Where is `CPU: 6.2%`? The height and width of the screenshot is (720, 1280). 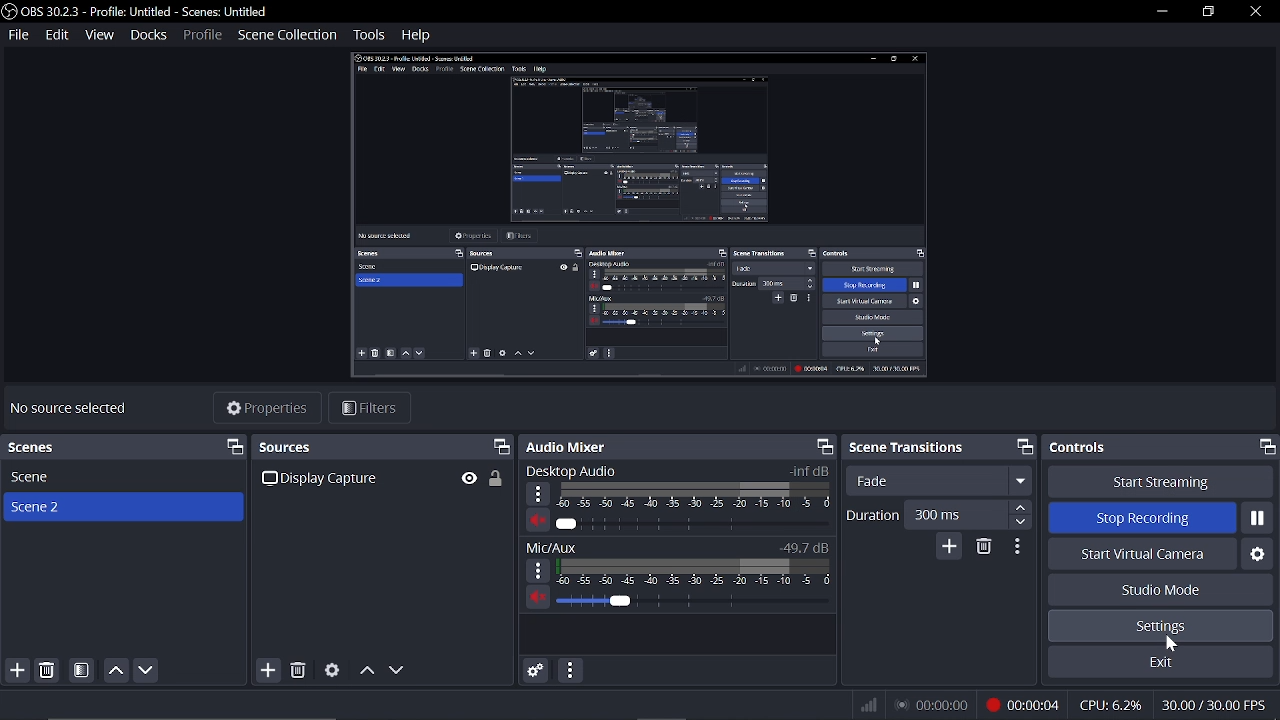 CPU: 6.2% is located at coordinates (1111, 704).